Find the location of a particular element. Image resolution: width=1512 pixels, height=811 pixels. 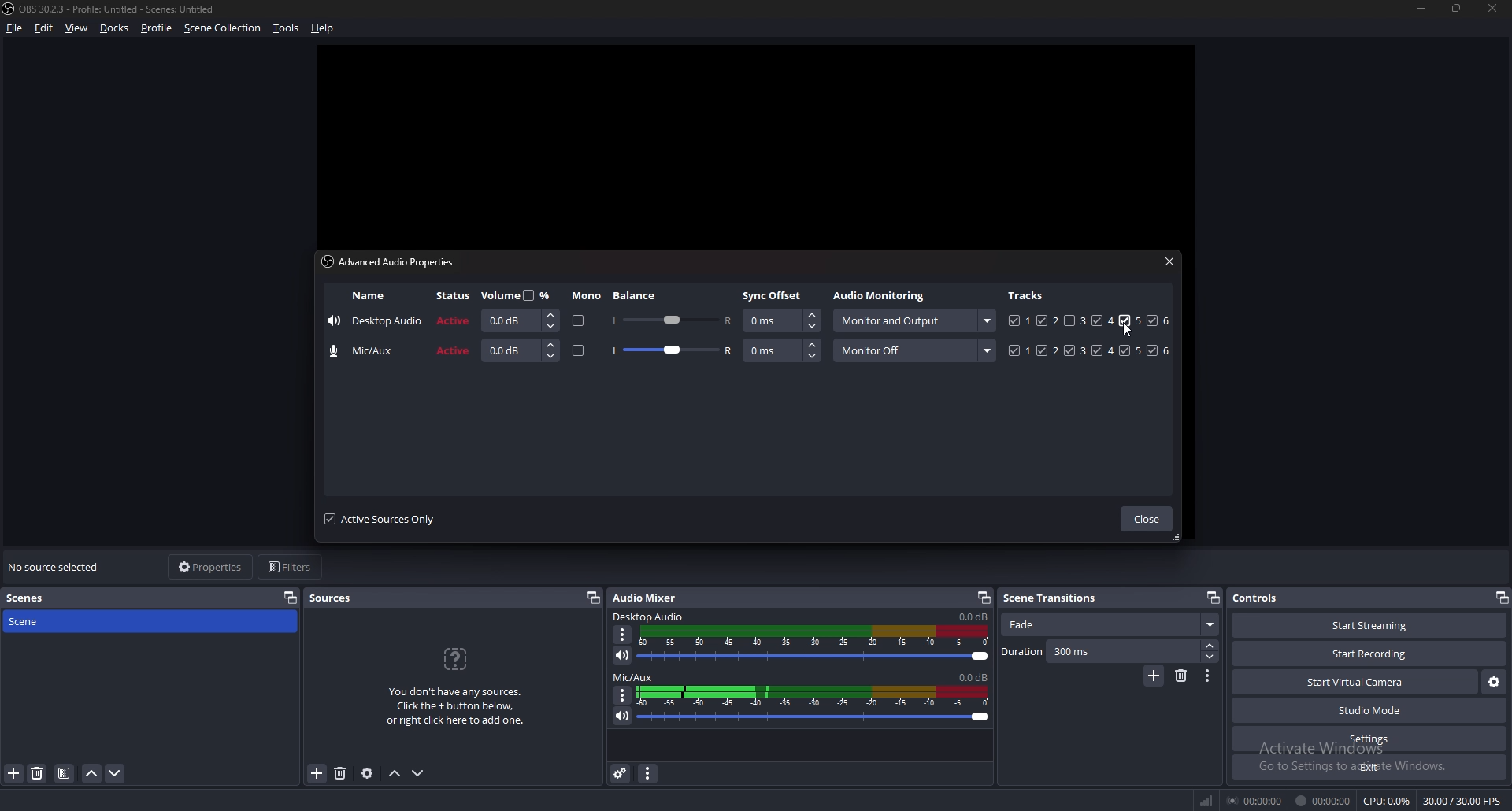

scenes is located at coordinates (34, 597).